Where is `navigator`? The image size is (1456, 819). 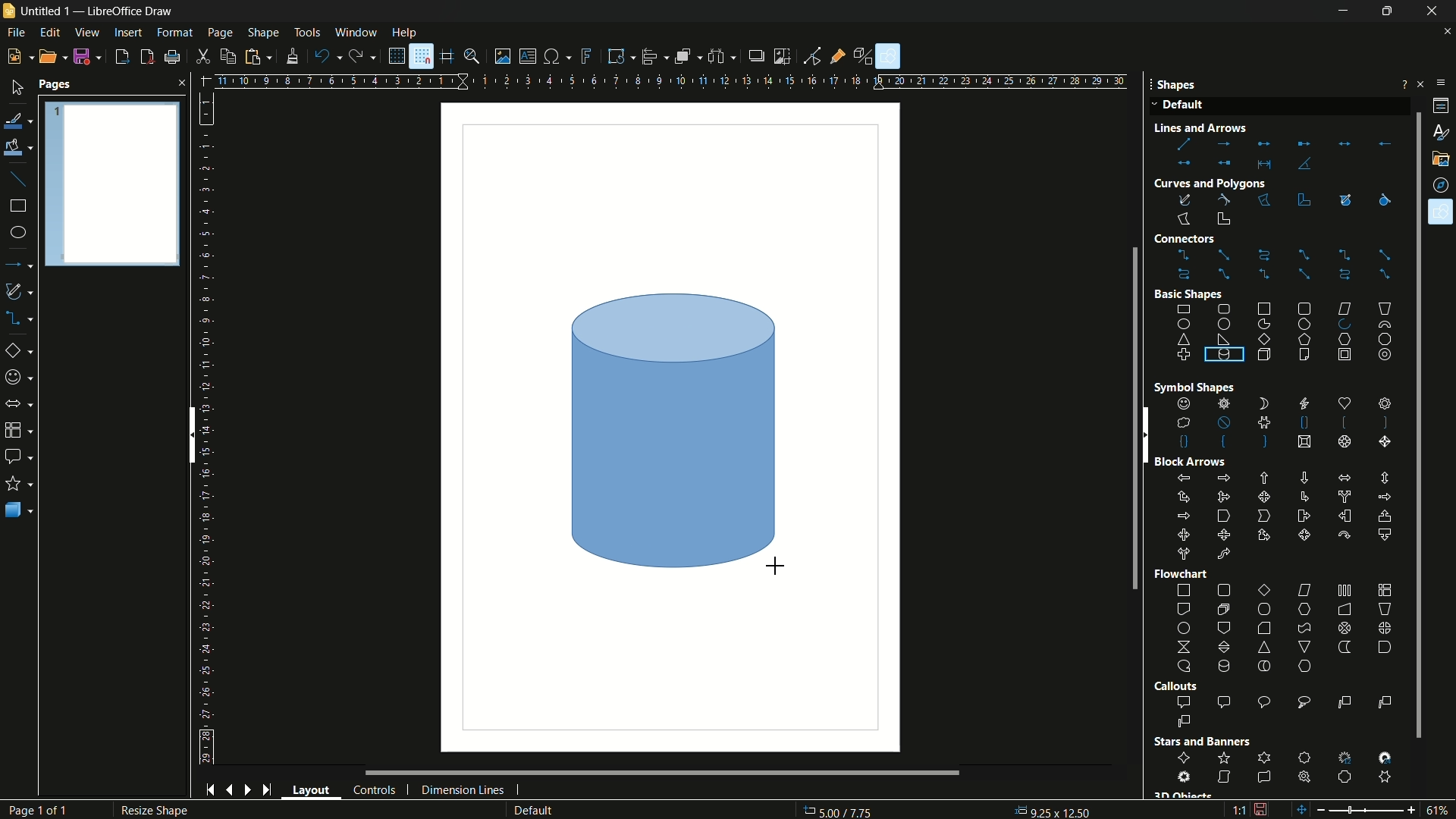 navigator is located at coordinates (1442, 185).